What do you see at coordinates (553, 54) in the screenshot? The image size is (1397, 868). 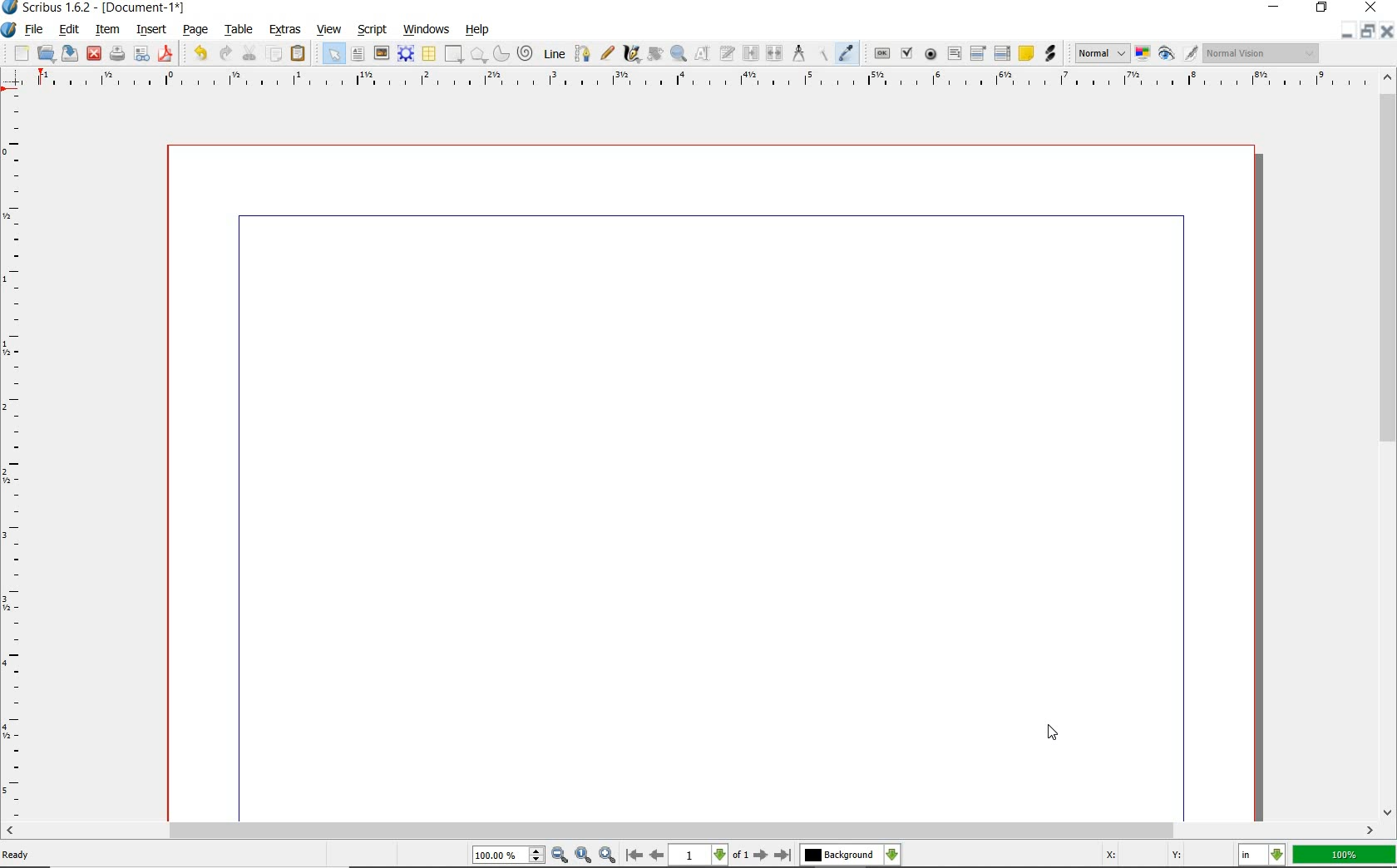 I see `line` at bounding box center [553, 54].